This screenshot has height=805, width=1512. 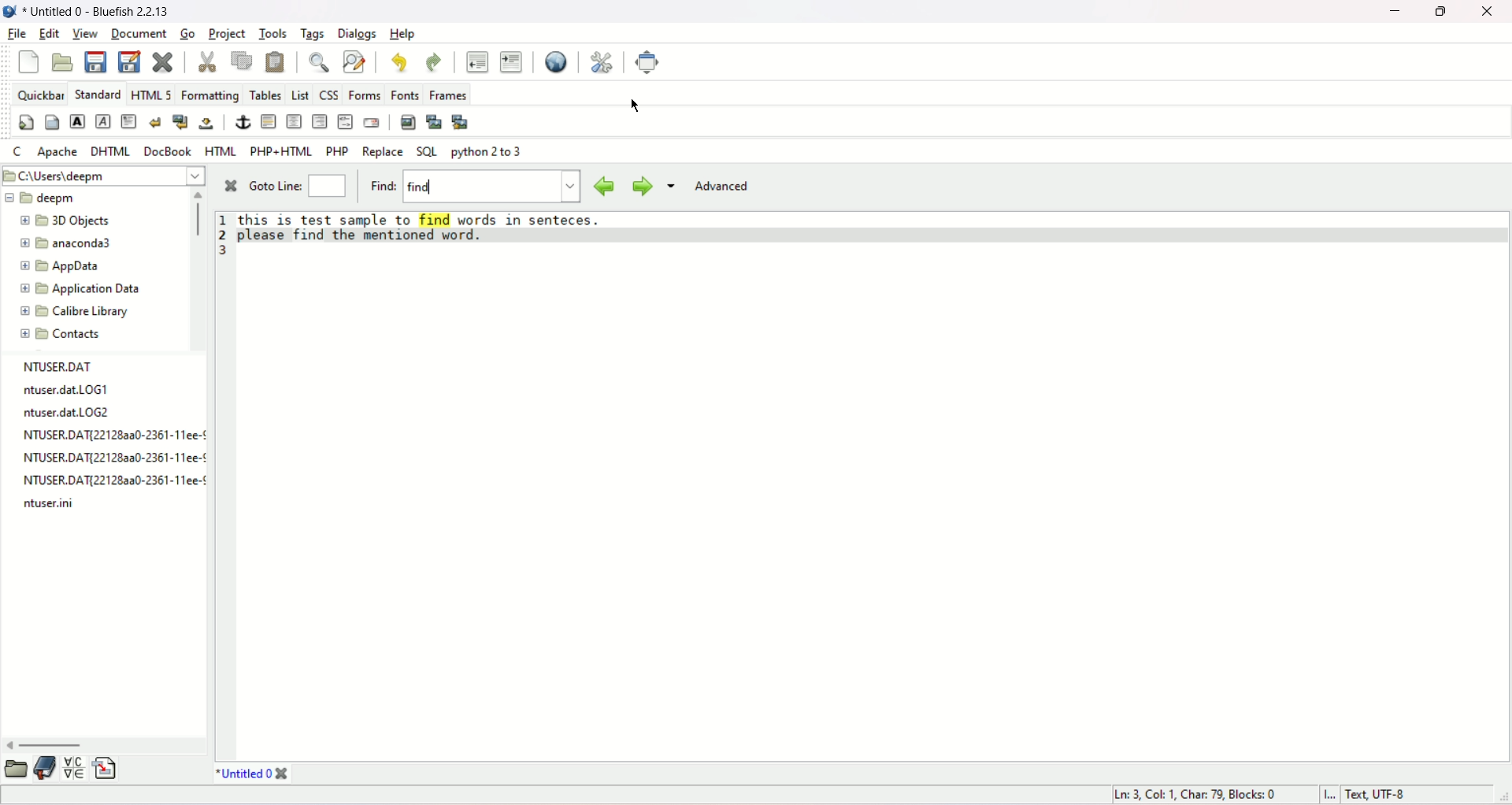 I want to click on horizontal scroll bar, so click(x=50, y=745).